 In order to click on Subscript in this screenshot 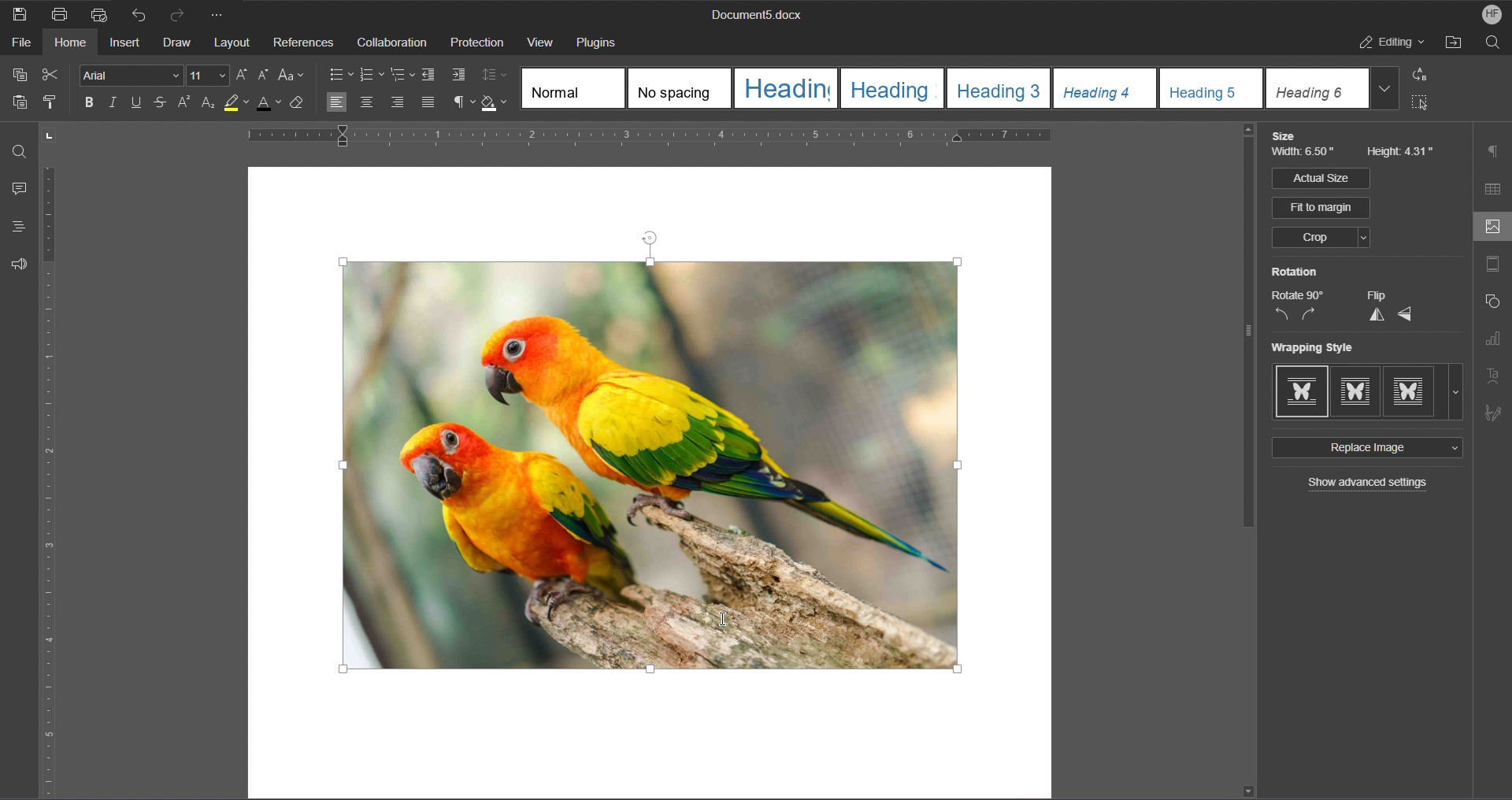, I will do `click(209, 106)`.